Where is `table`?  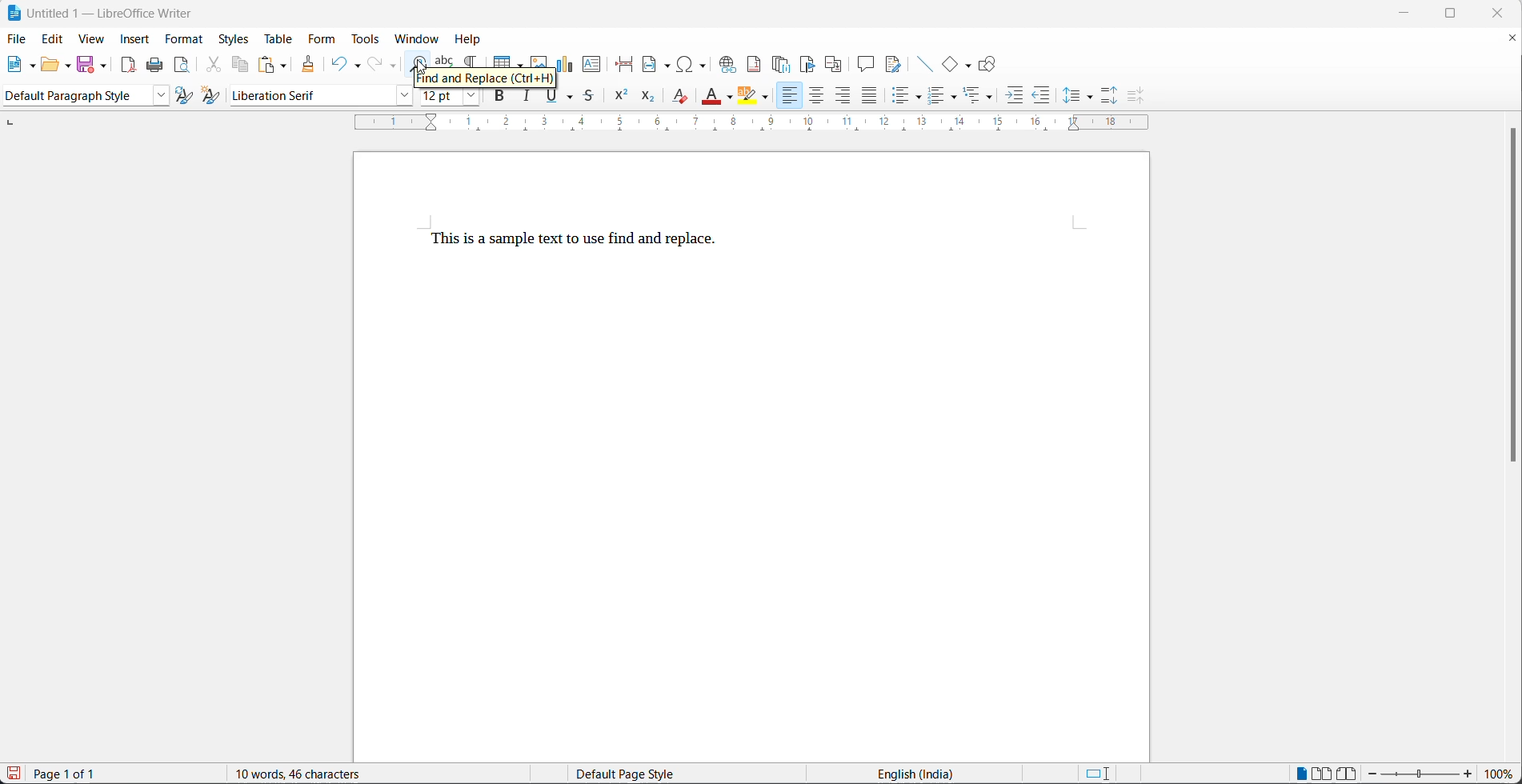 table is located at coordinates (276, 38).